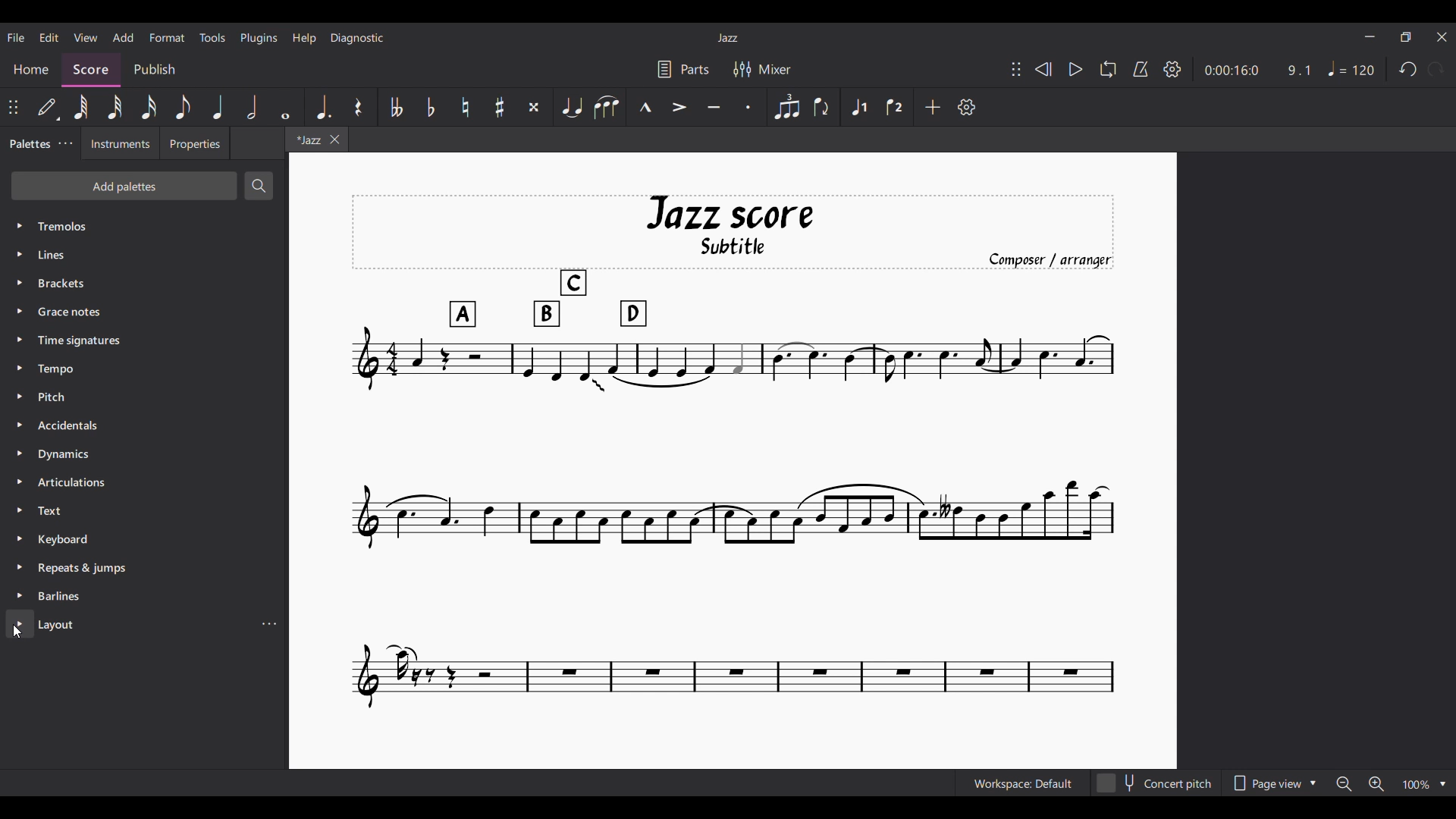  What do you see at coordinates (1231, 71) in the screenshot?
I see `0:00:16:0` at bounding box center [1231, 71].